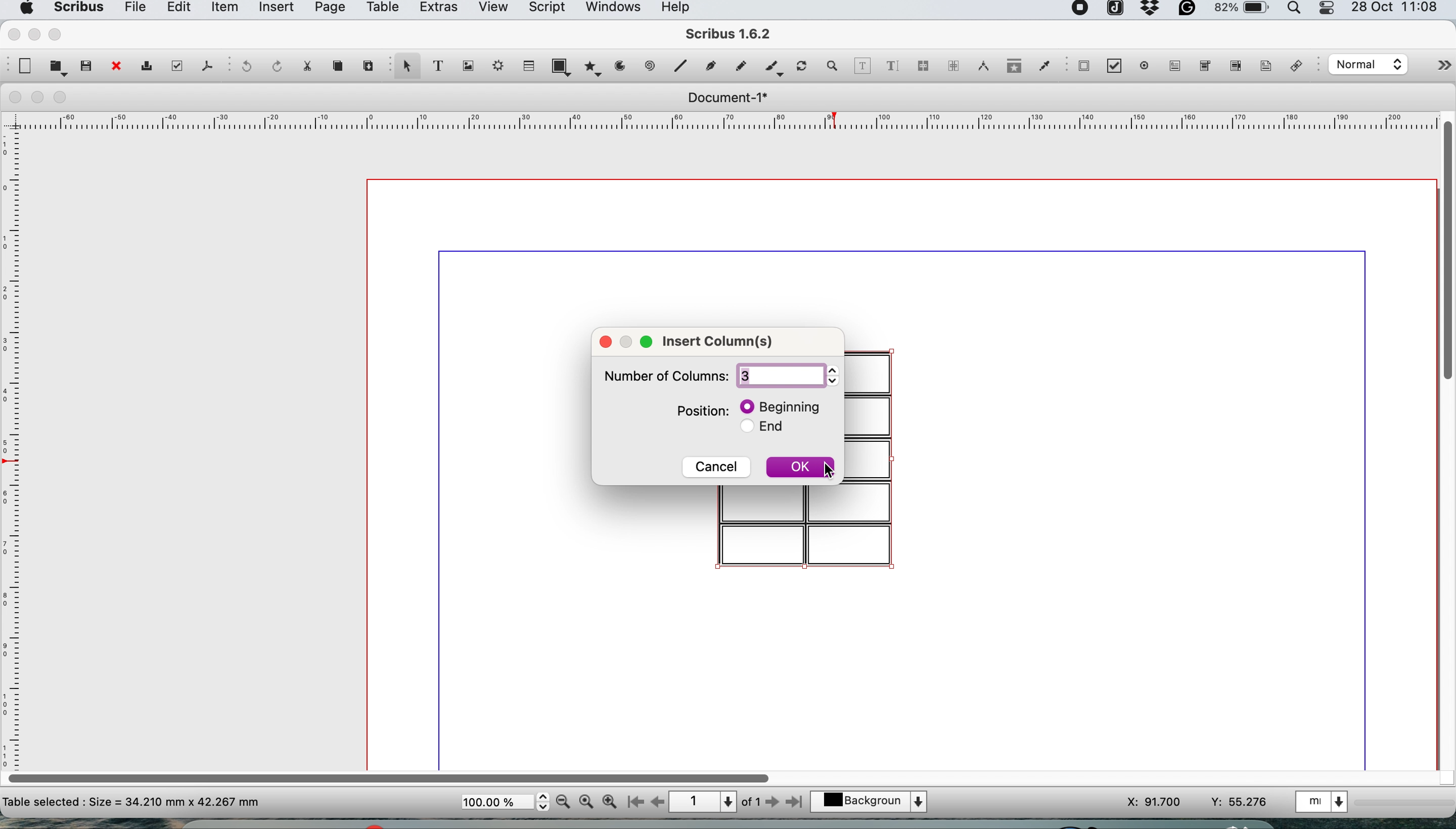 This screenshot has width=1456, height=829. I want to click on windows, so click(612, 10).